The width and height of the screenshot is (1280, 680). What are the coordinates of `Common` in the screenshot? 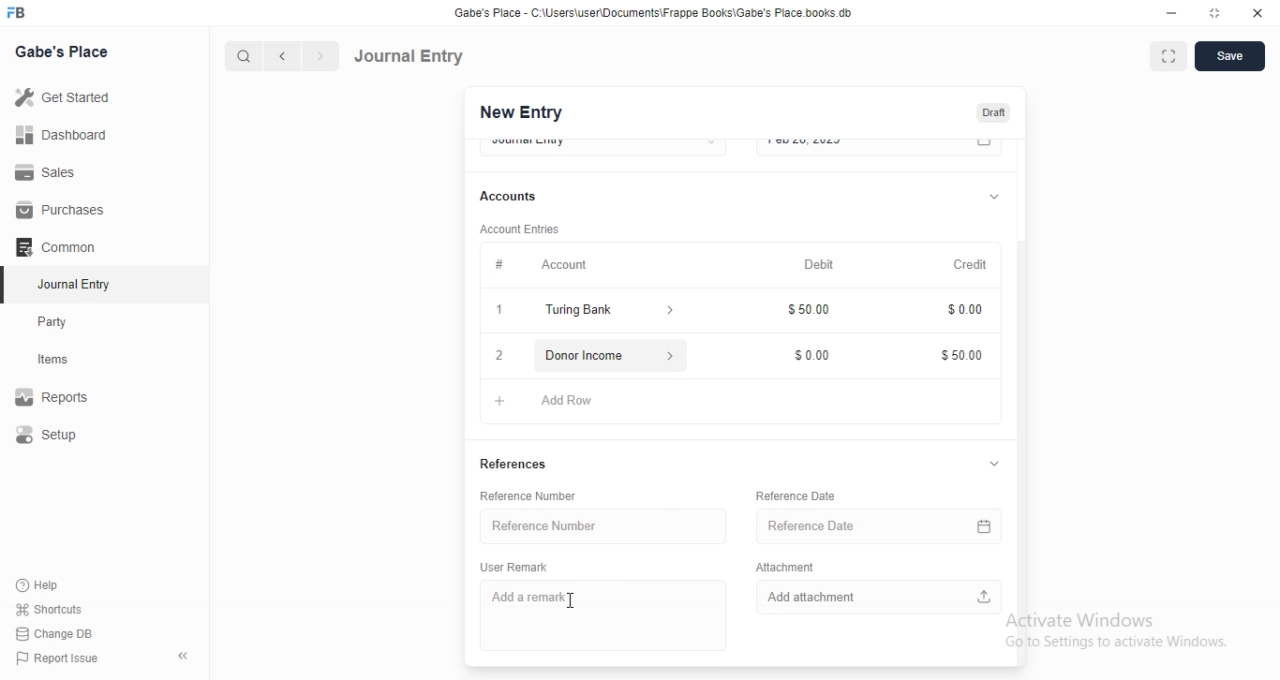 It's located at (61, 247).